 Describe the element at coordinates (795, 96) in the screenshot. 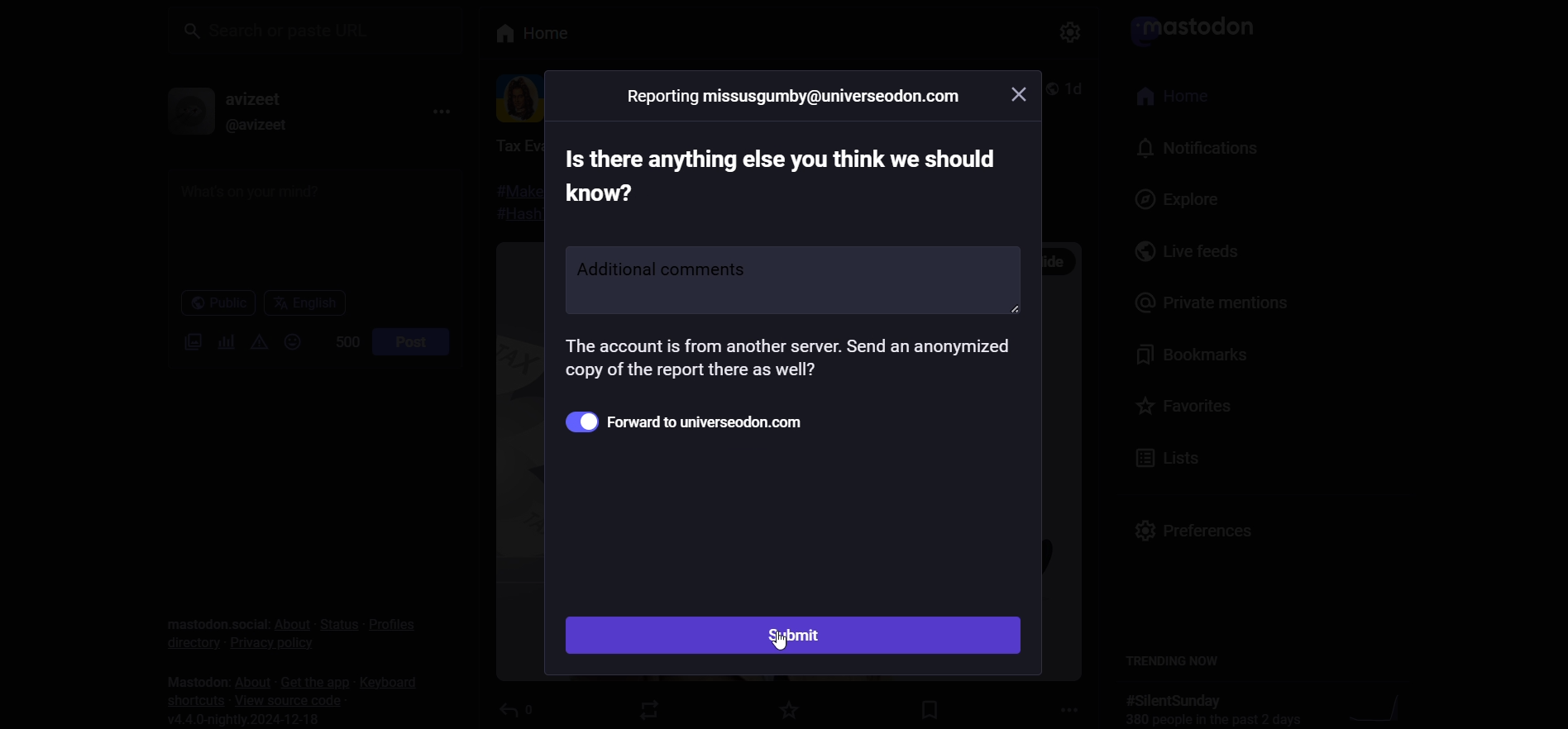

I see `reporting ID` at that location.